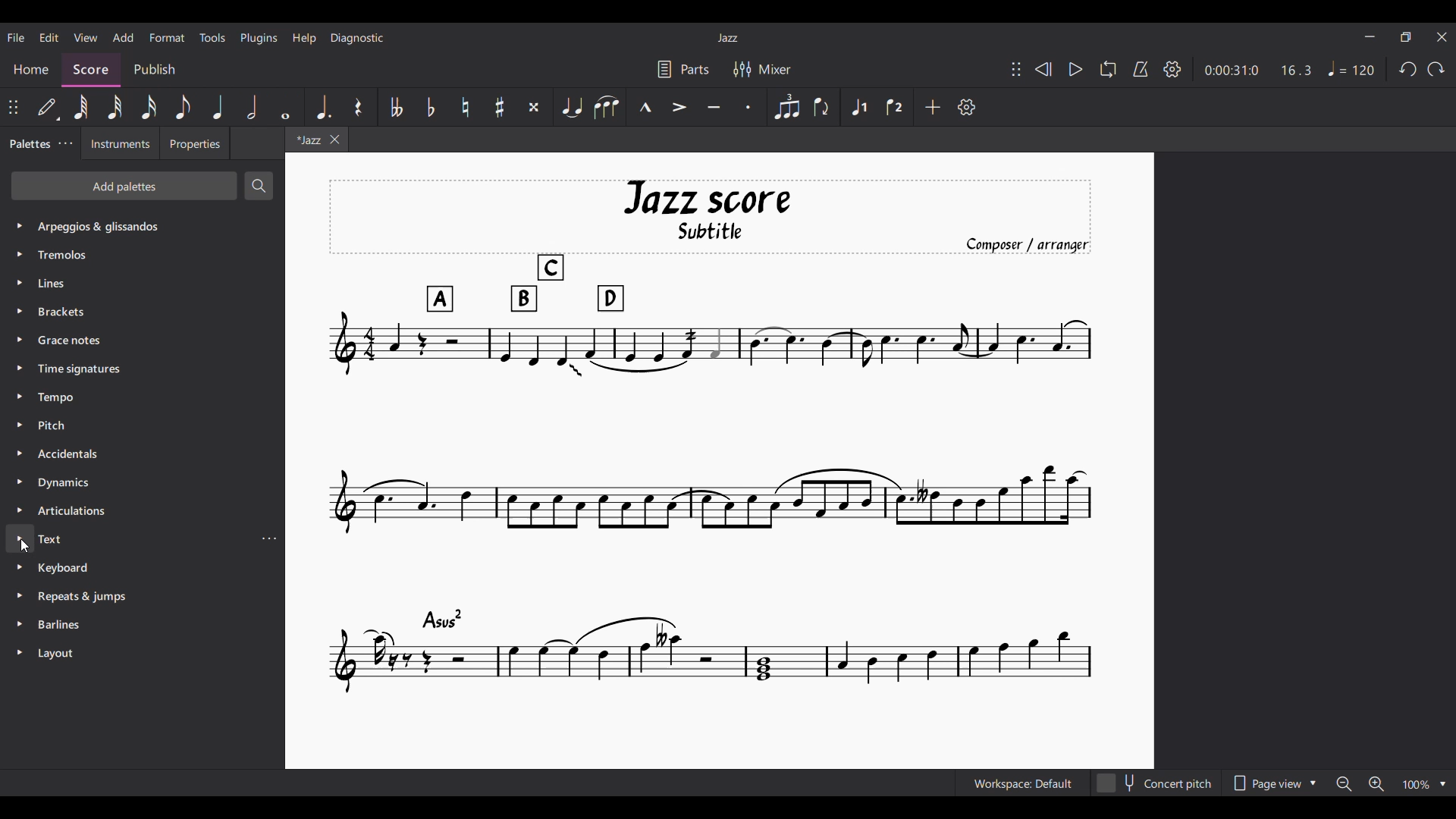 This screenshot has height=819, width=1456. Describe the element at coordinates (761, 68) in the screenshot. I see `Mixer settings` at that location.